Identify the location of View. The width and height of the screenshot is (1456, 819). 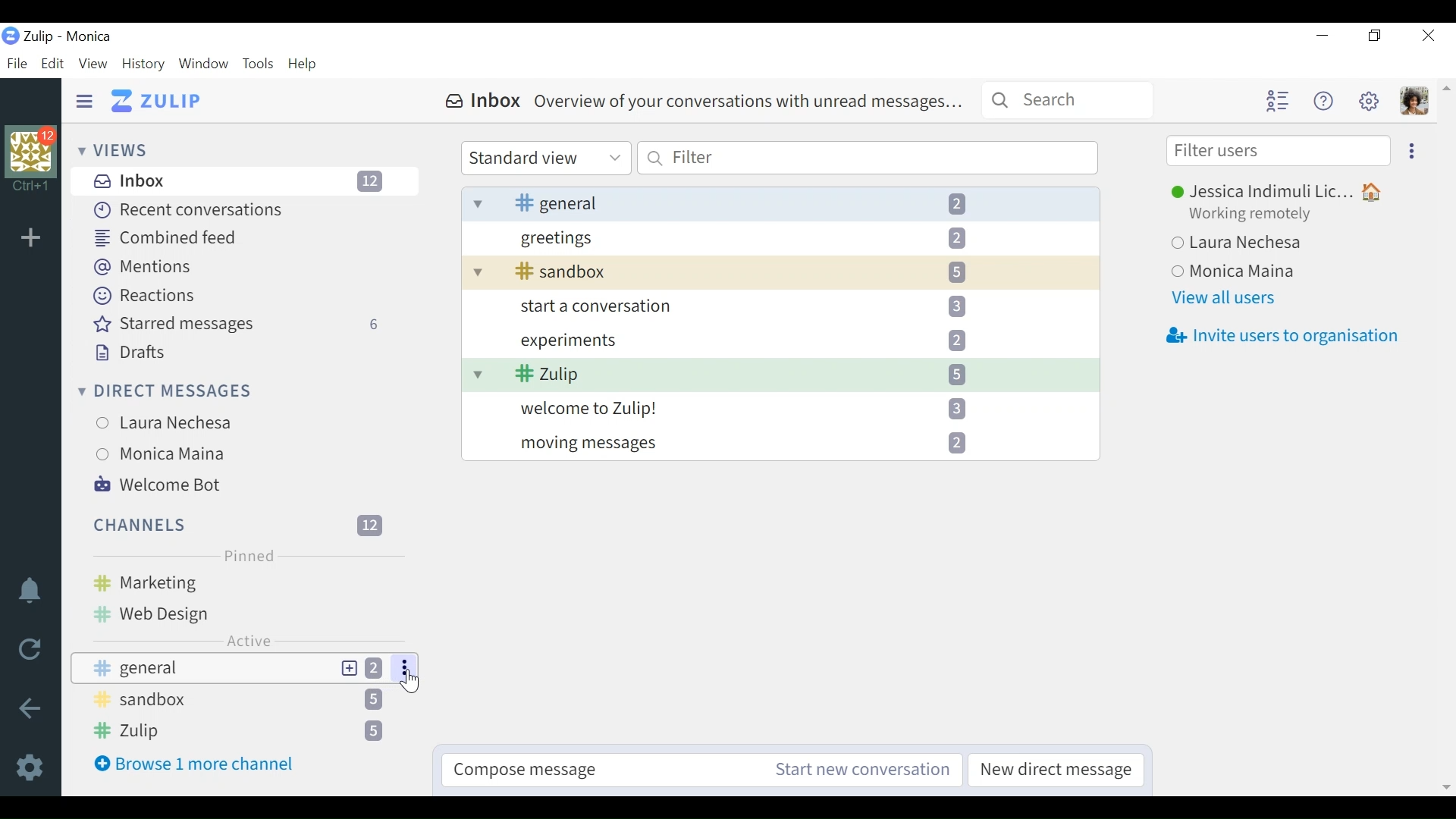
(92, 64).